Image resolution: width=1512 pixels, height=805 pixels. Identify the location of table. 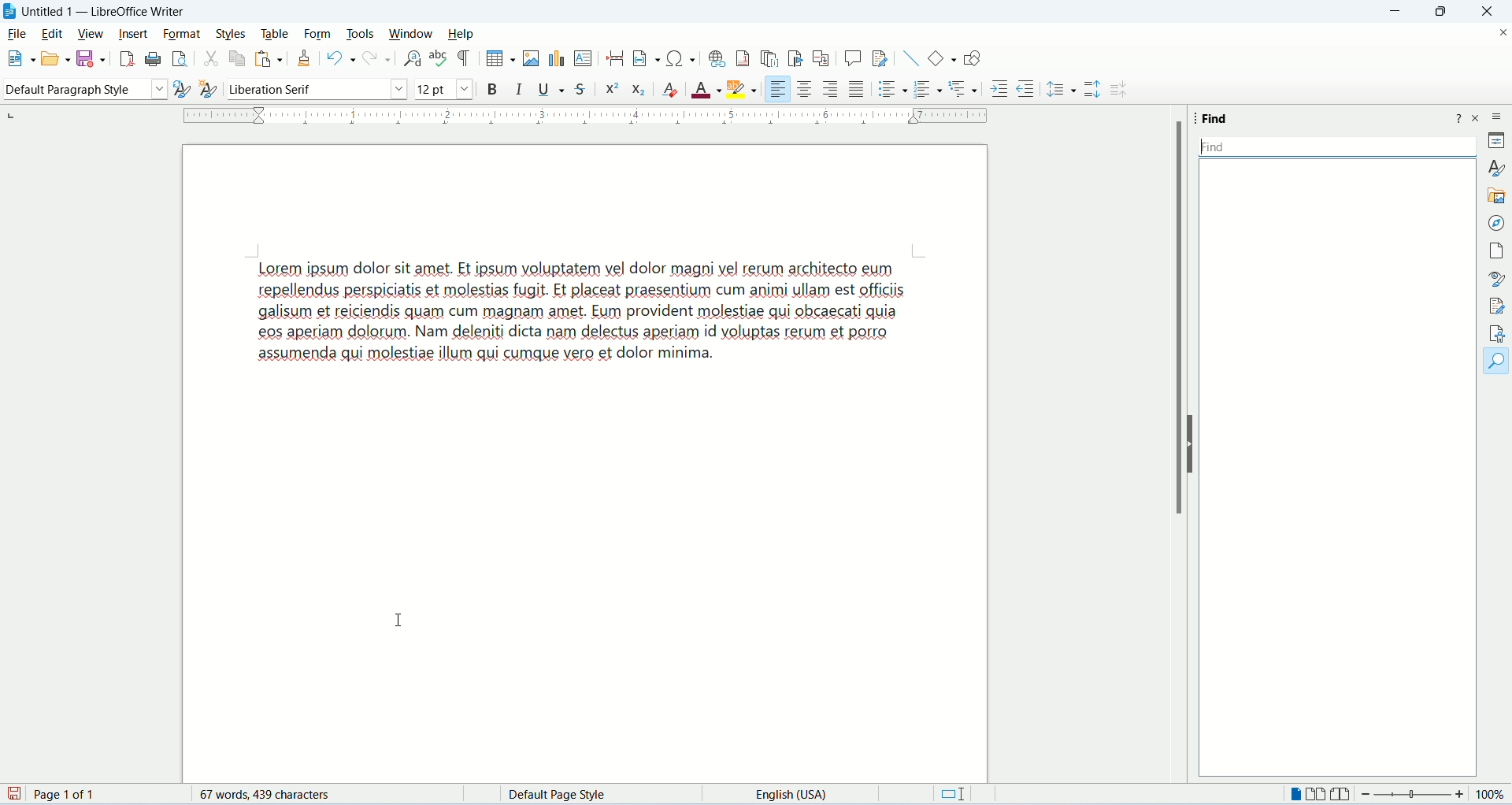
(274, 33).